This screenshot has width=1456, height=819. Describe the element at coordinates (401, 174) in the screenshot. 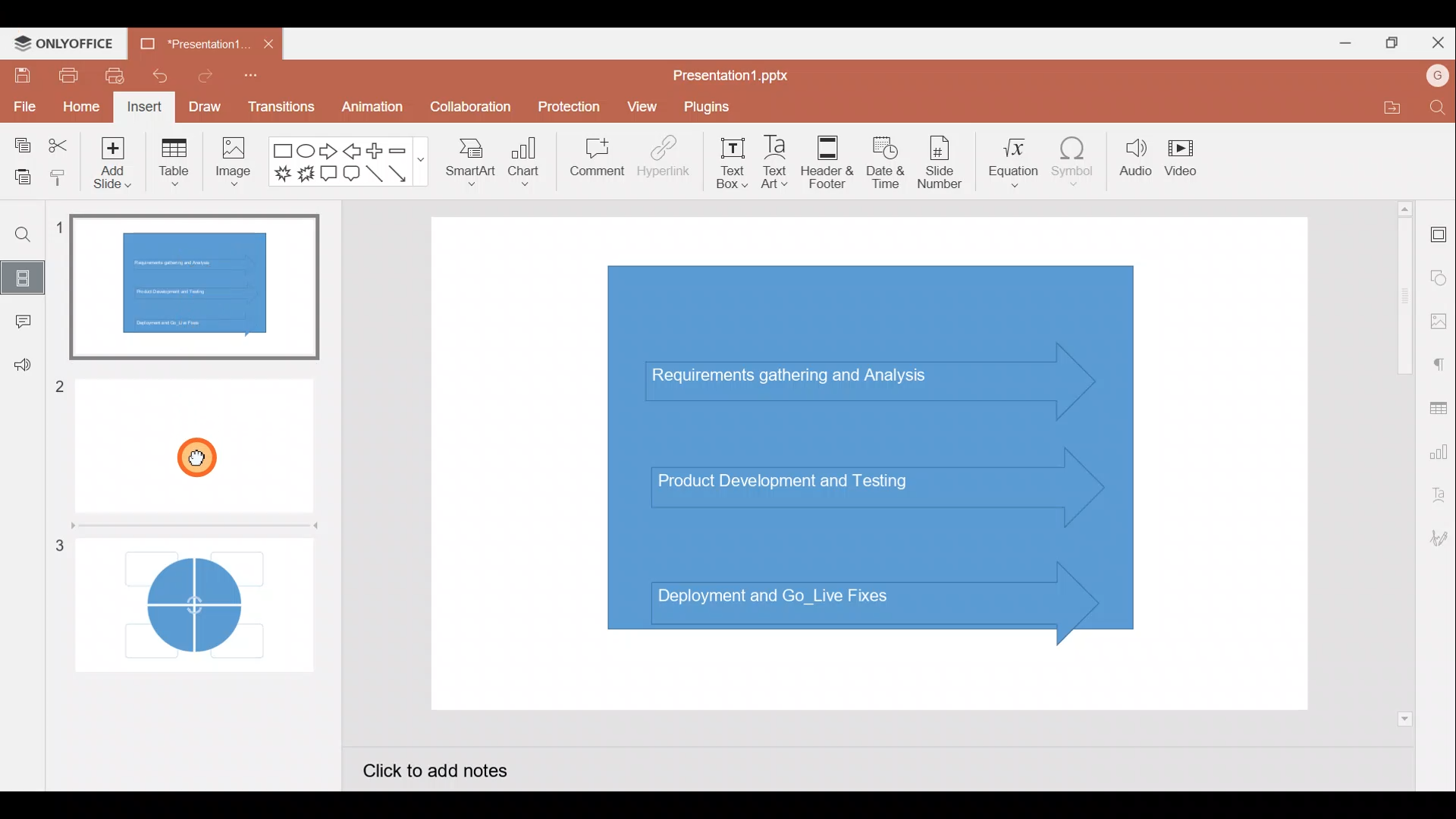

I see `Arrow` at that location.